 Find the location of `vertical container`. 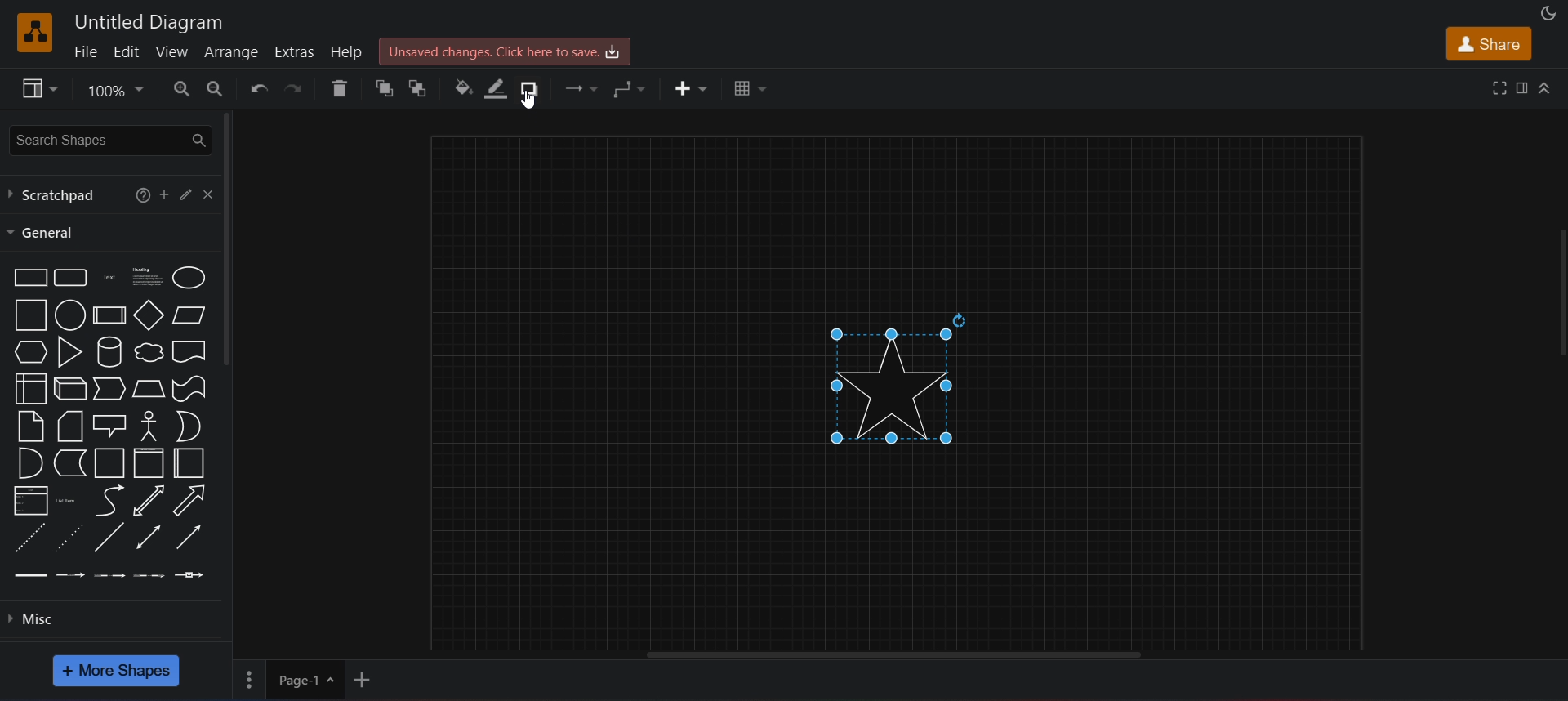

vertical container is located at coordinates (149, 463).